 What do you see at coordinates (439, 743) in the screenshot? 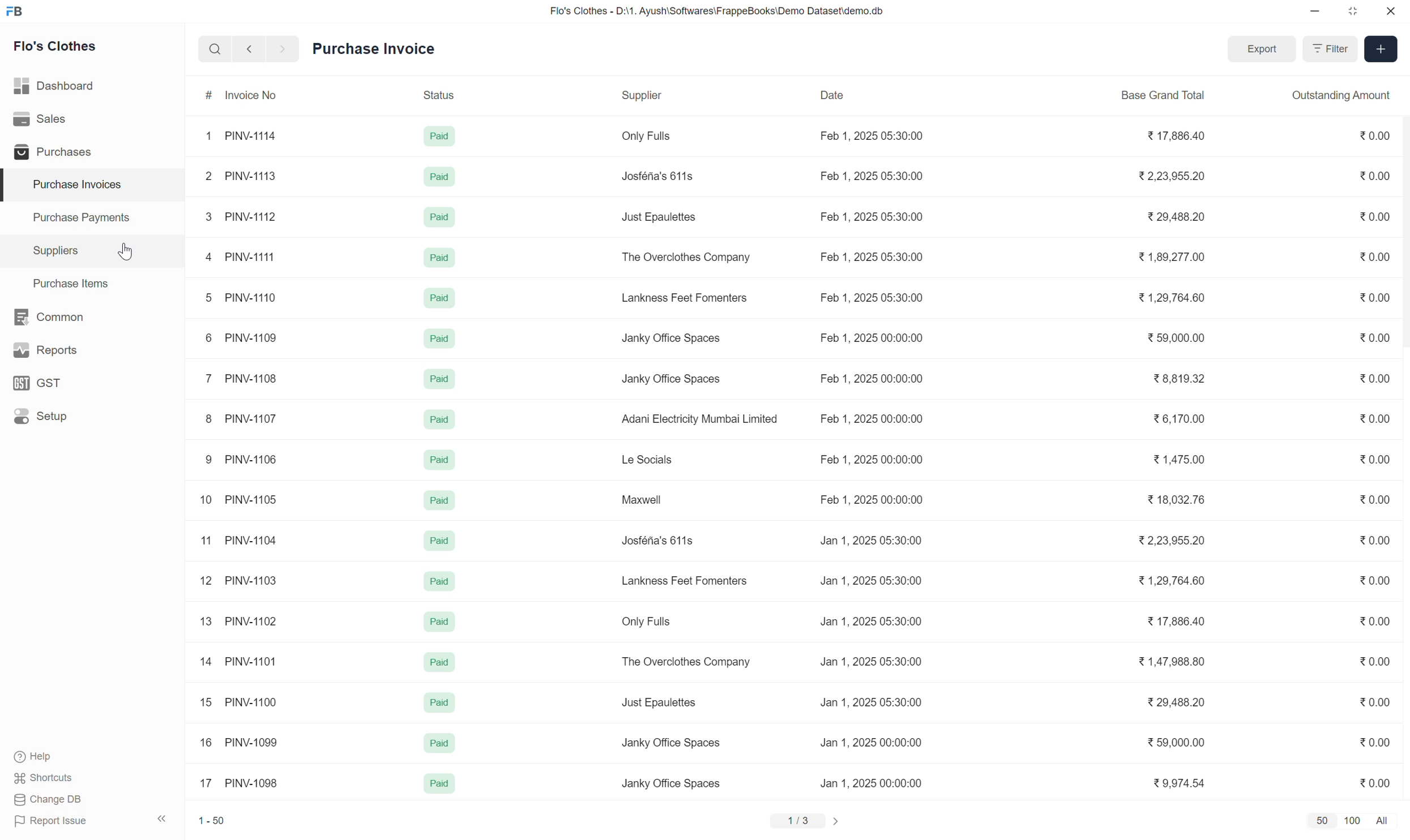
I see `Paid` at bounding box center [439, 743].